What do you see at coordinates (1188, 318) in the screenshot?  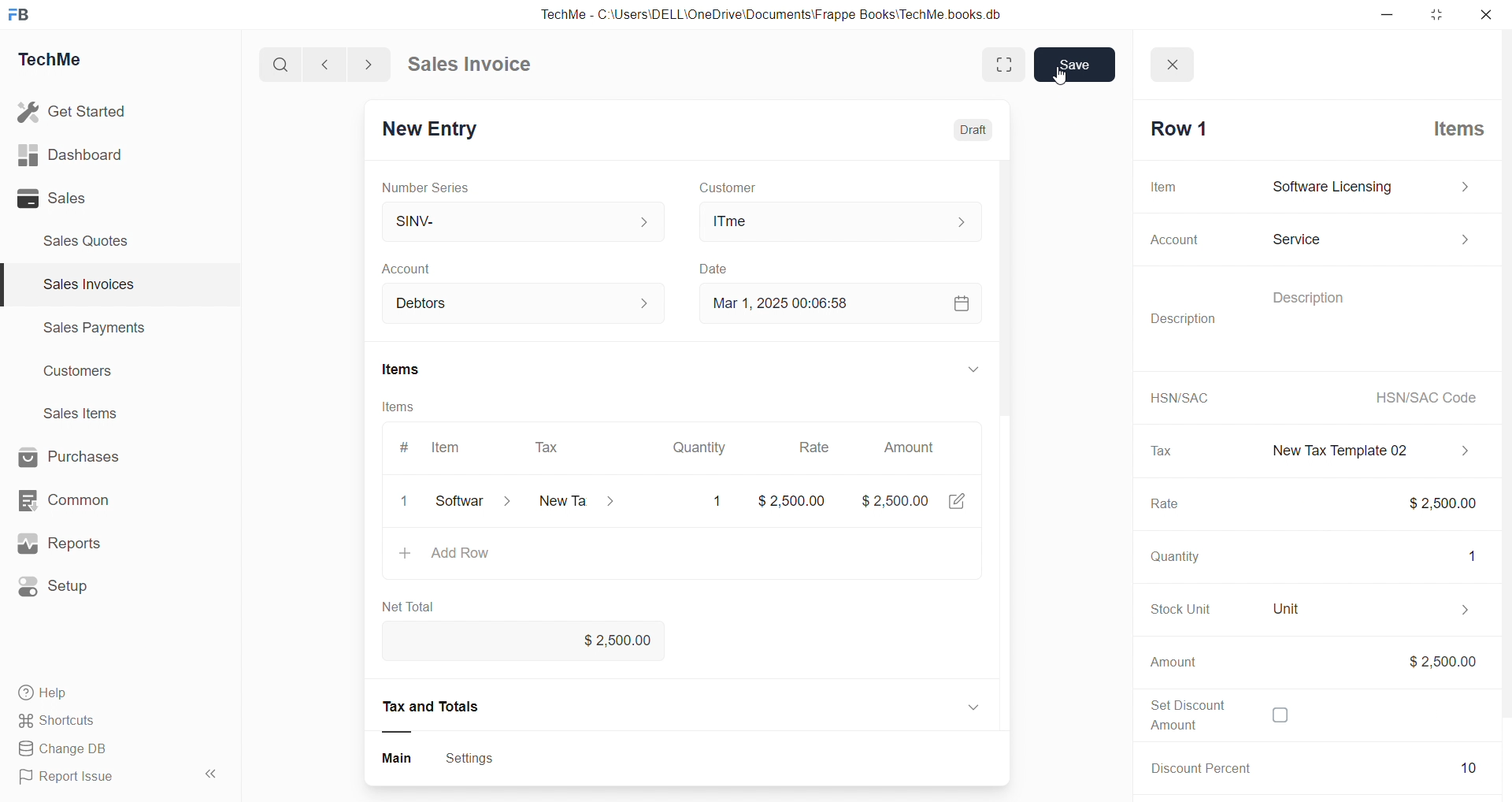 I see `Description` at bounding box center [1188, 318].